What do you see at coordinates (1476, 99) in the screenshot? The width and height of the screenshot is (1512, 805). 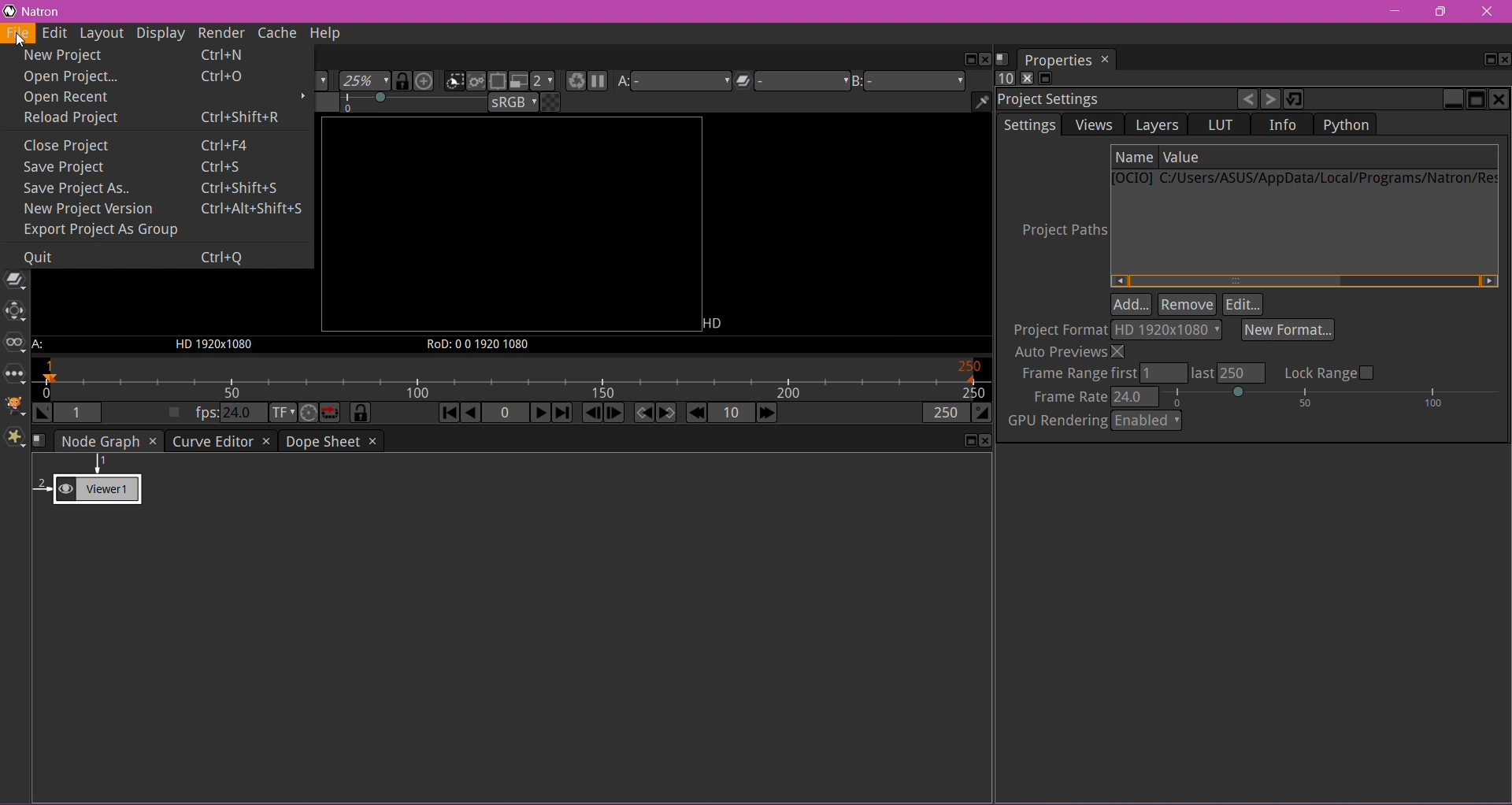 I see `Maximize` at bounding box center [1476, 99].